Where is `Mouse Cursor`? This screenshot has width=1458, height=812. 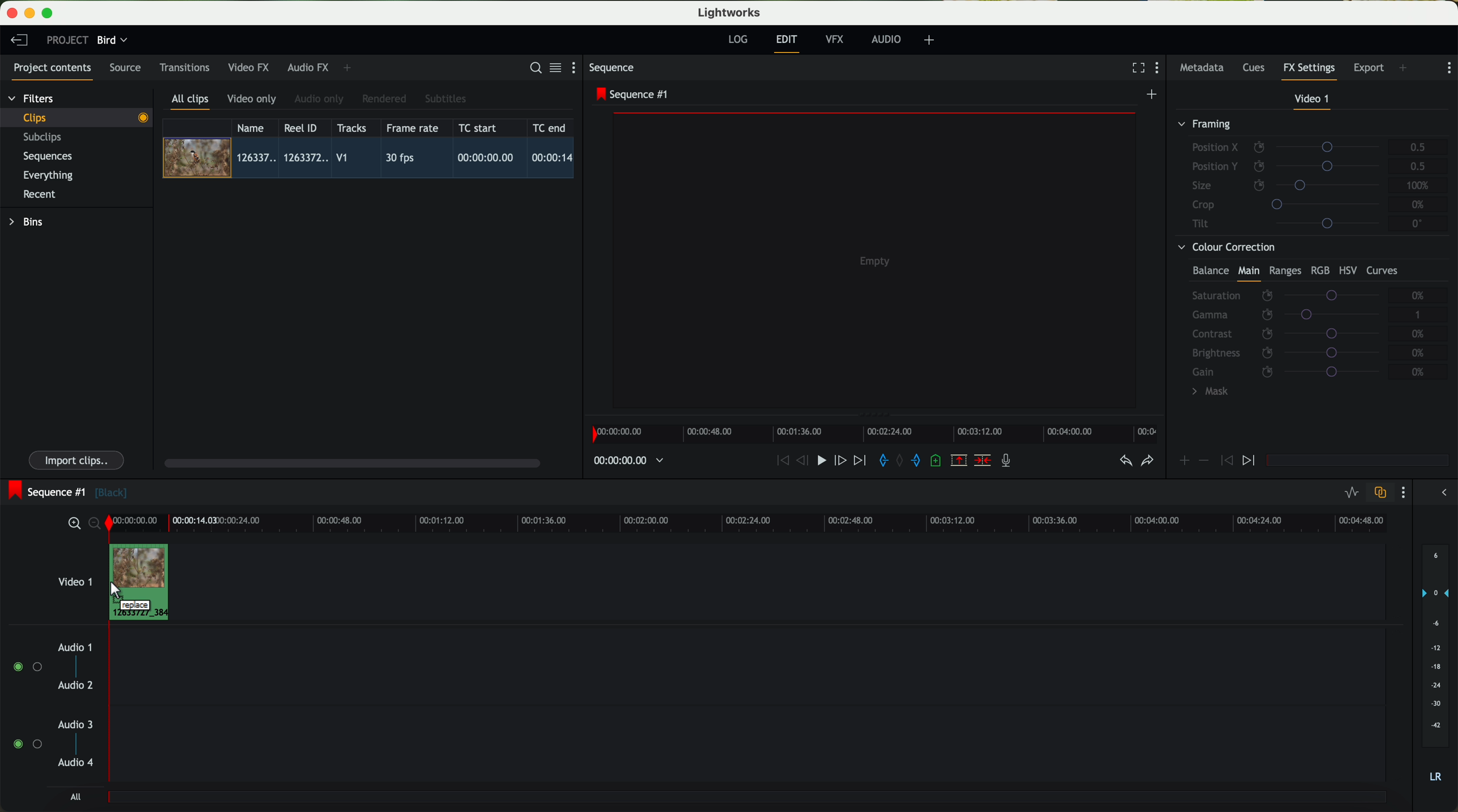 Mouse Cursor is located at coordinates (115, 589).